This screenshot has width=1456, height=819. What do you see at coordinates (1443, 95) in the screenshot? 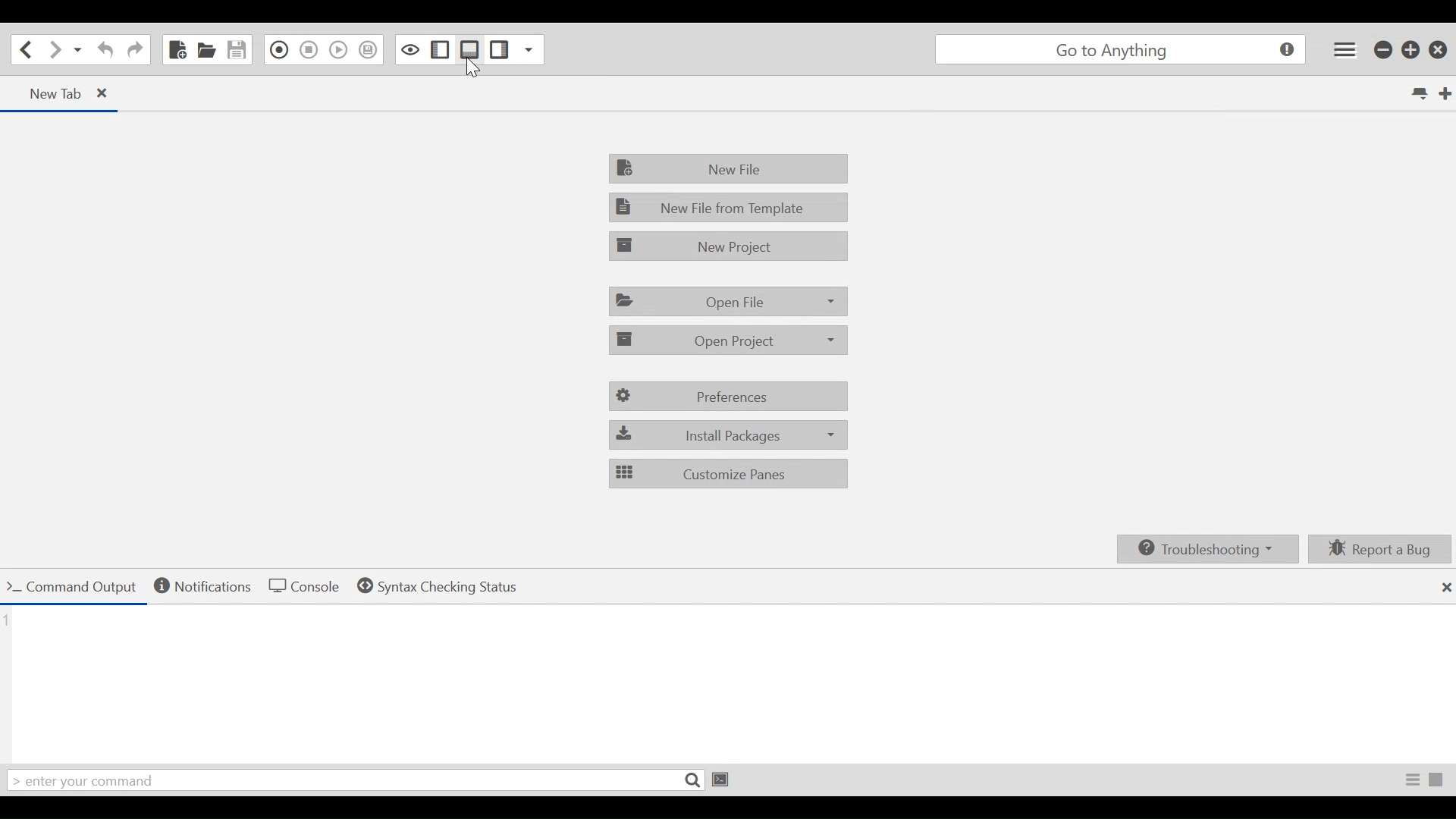
I see `New Tab` at bounding box center [1443, 95].